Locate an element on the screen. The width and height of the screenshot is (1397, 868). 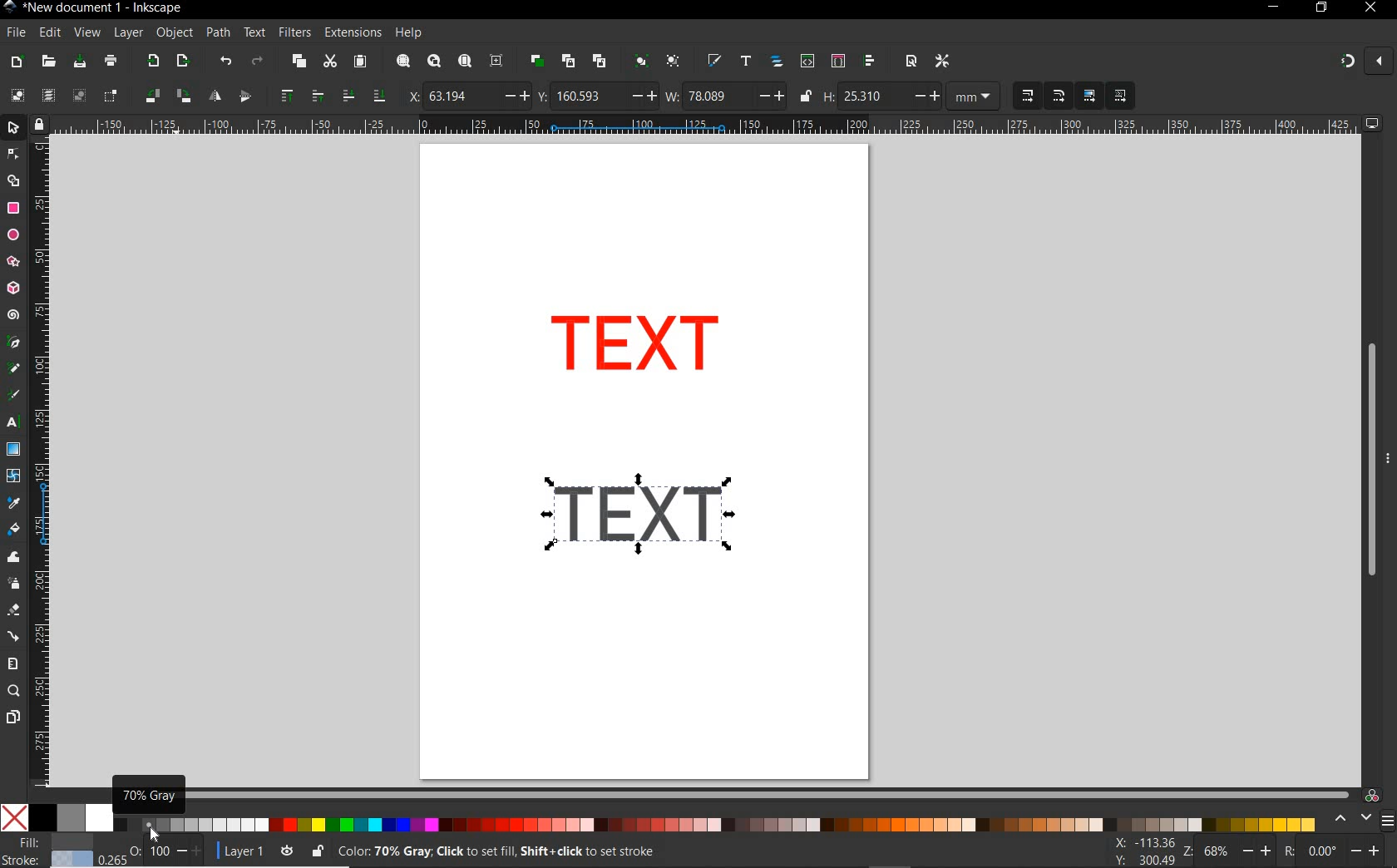
zoom selection is located at coordinates (402, 62).